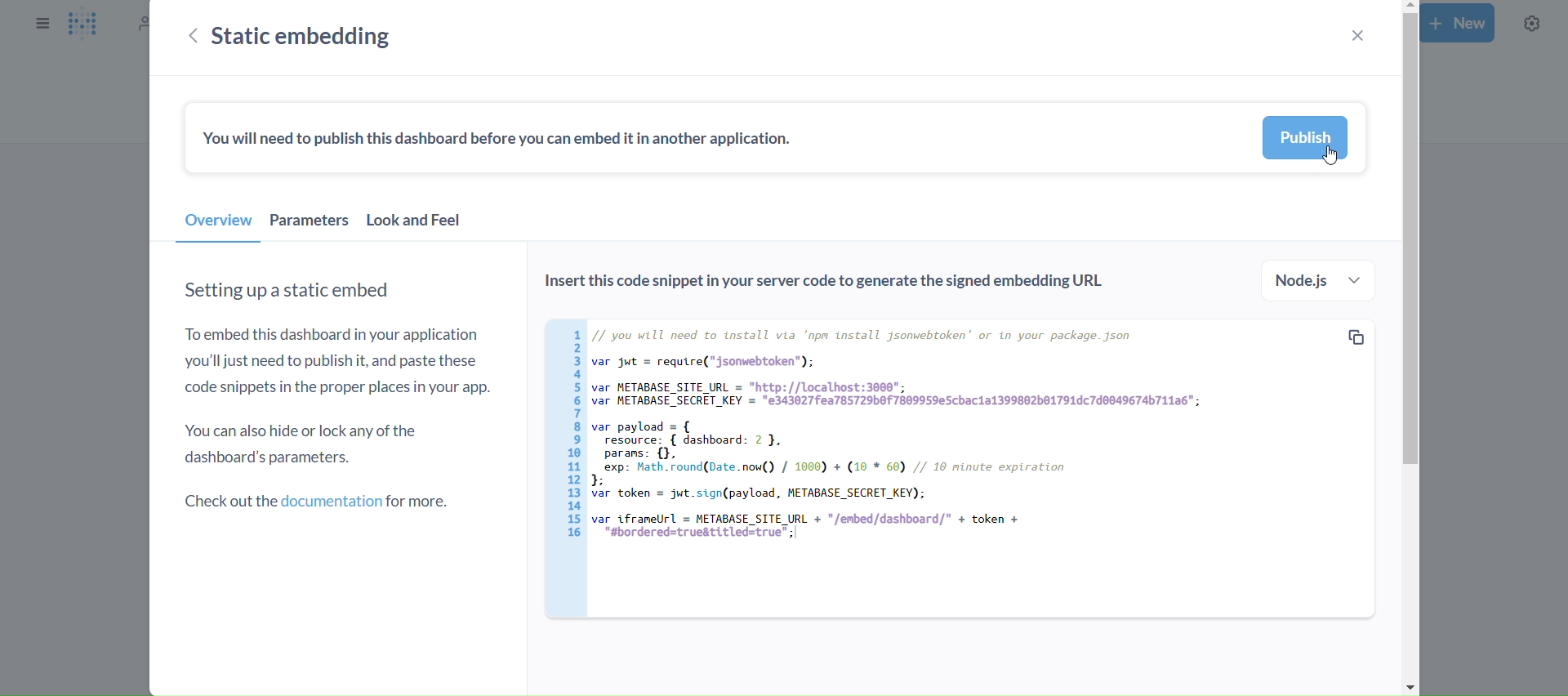  Describe the element at coordinates (836, 284) in the screenshot. I see `Insert this code snippet in your server code to generate the signed embedding URL` at that location.